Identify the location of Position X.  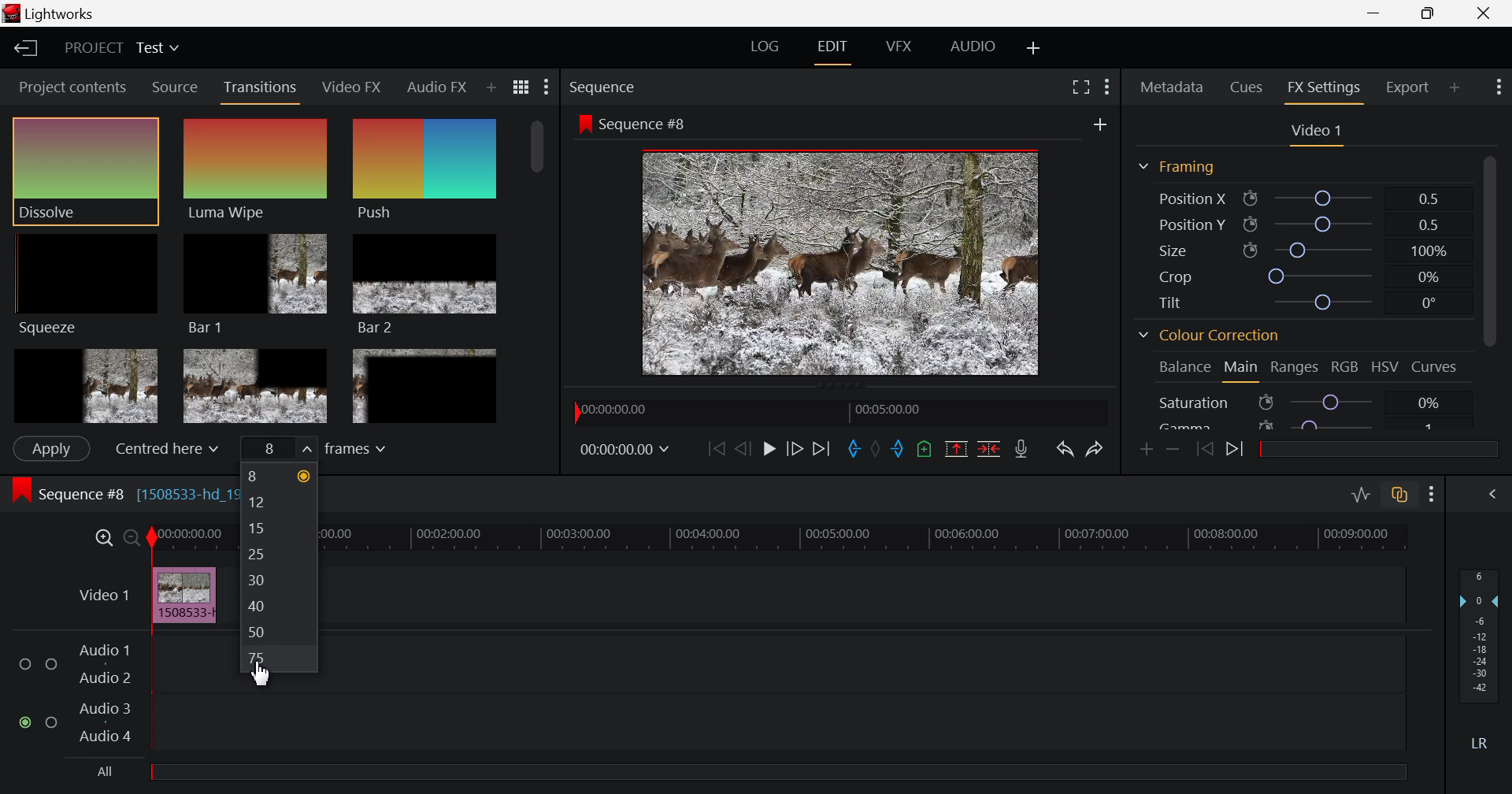
(1299, 198).